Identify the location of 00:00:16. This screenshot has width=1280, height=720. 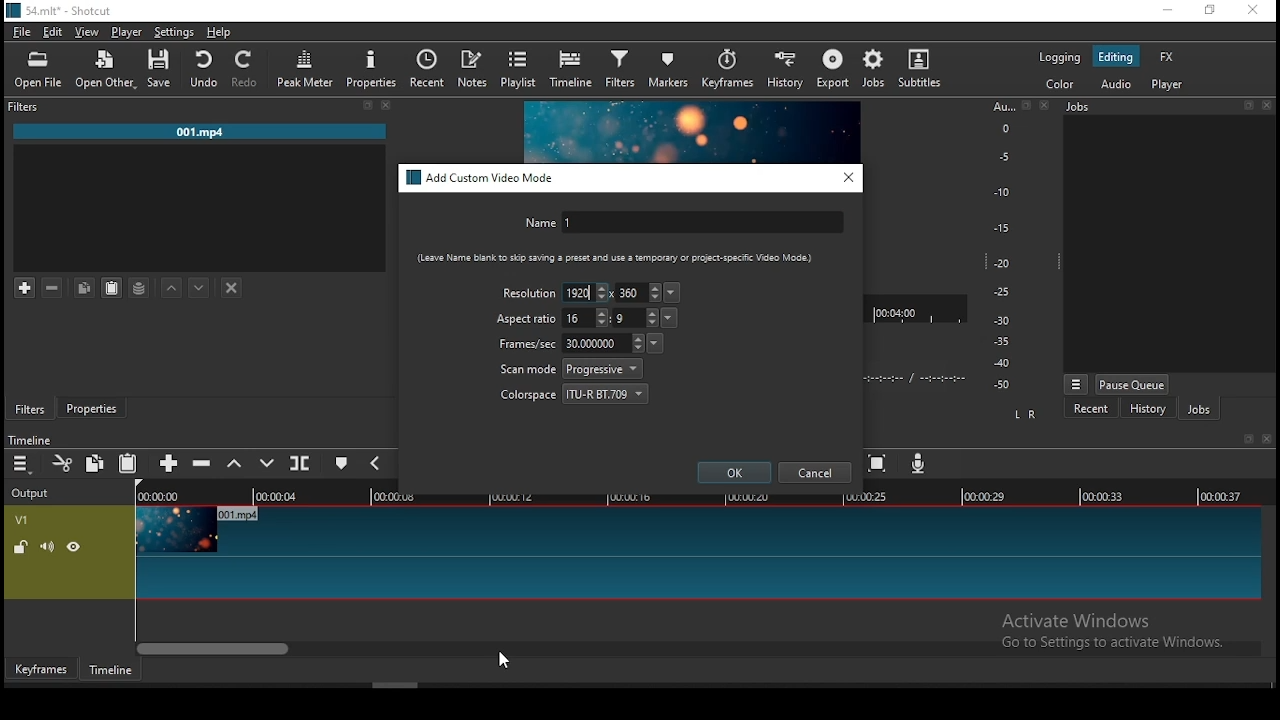
(631, 496).